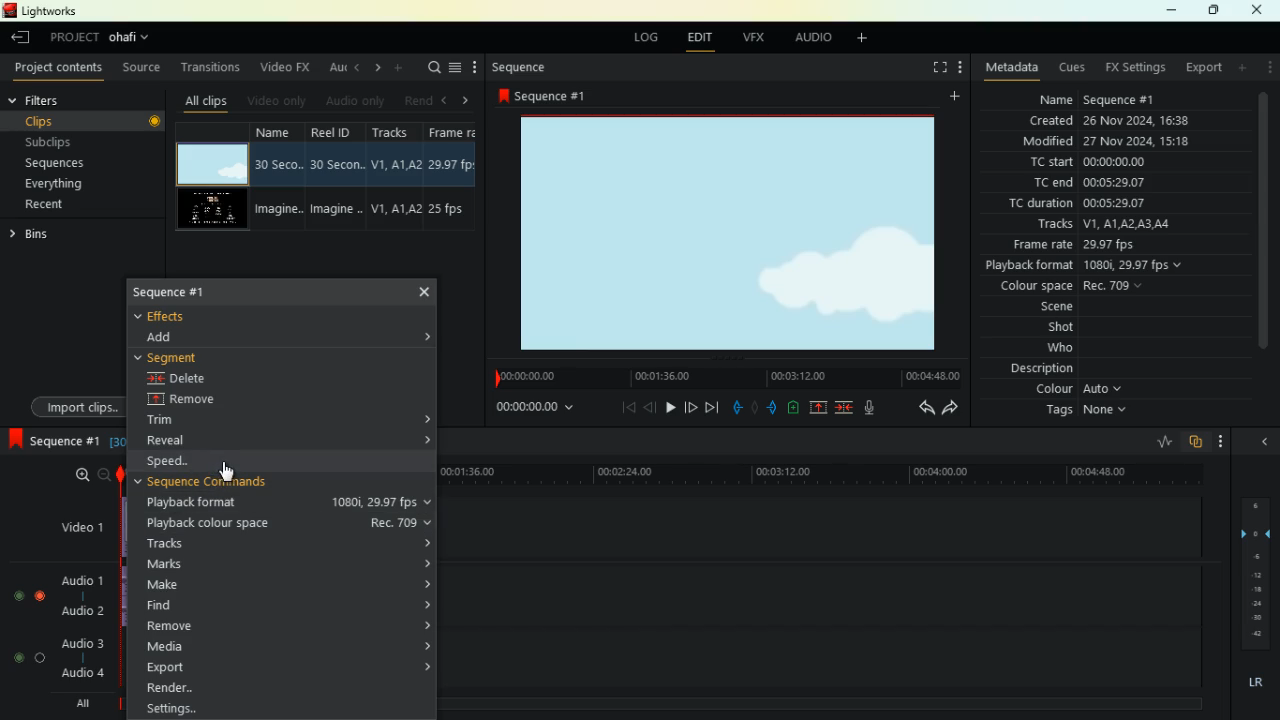 This screenshot has height=720, width=1280. Describe the element at coordinates (178, 316) in the screenshot. I see `effects` at that location.